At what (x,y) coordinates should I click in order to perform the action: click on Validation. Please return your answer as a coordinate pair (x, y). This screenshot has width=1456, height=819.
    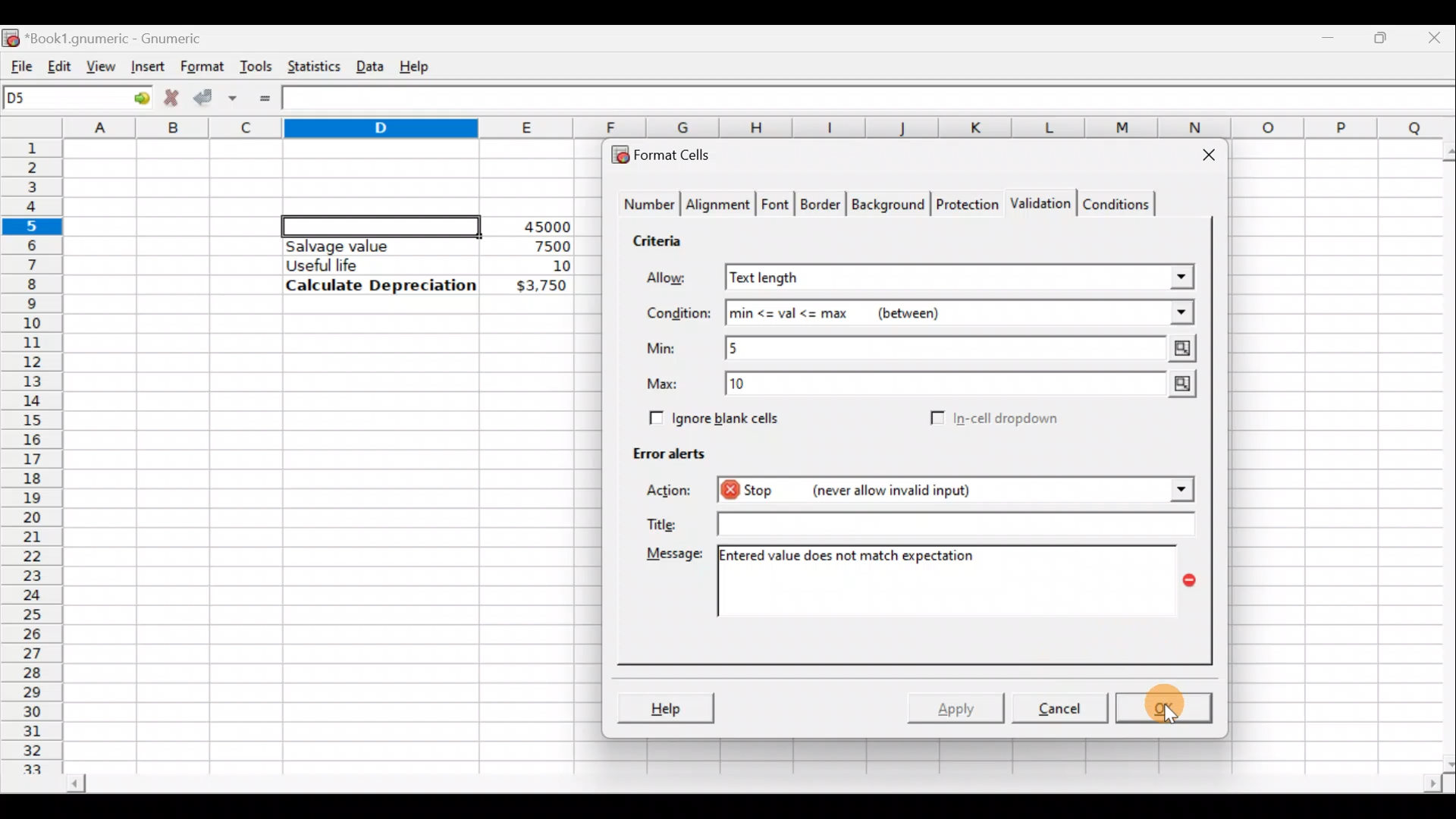
    Looking at the image, I should click on (1037, 205).